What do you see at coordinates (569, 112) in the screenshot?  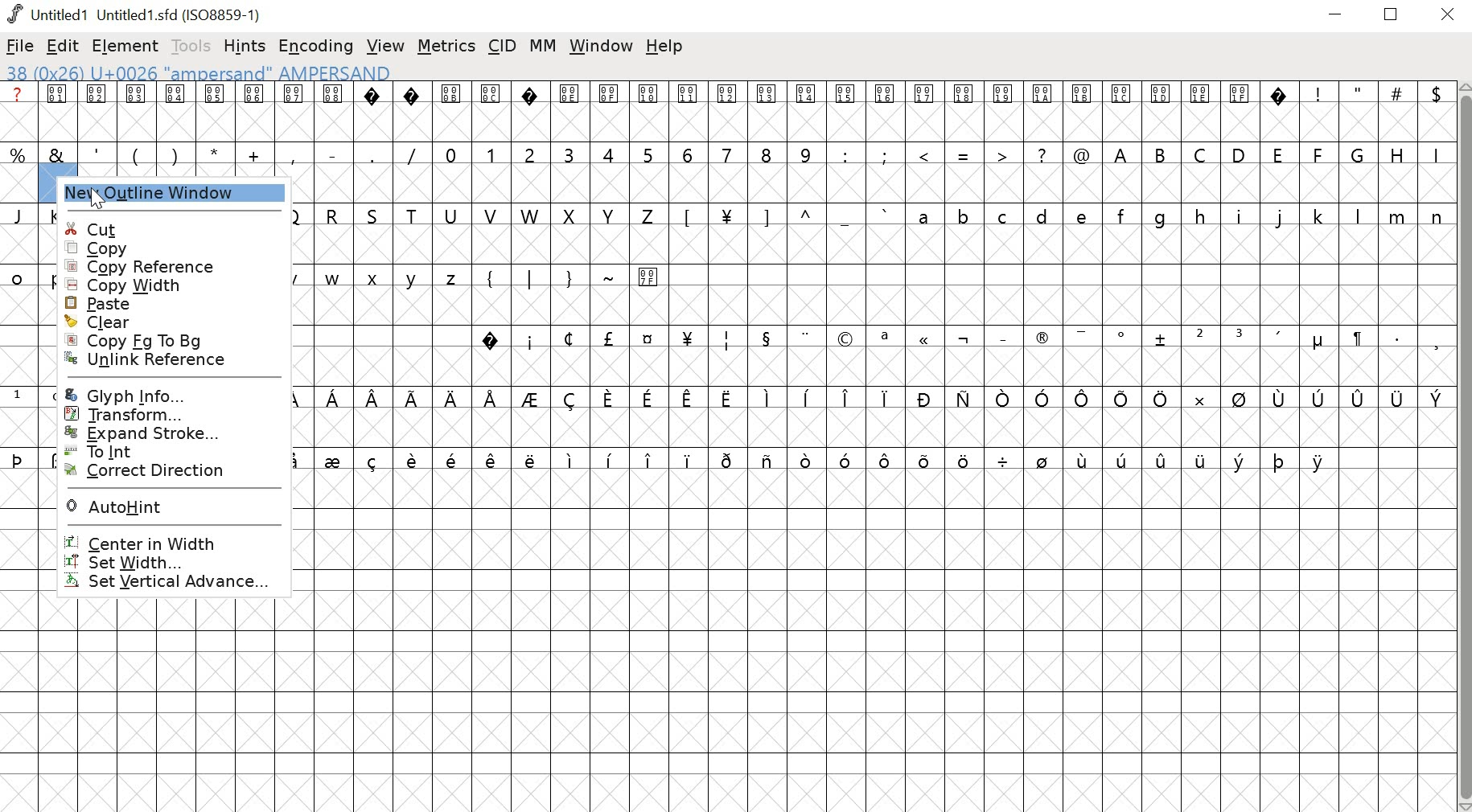 I see `000E` at bounding box center [569, 112].